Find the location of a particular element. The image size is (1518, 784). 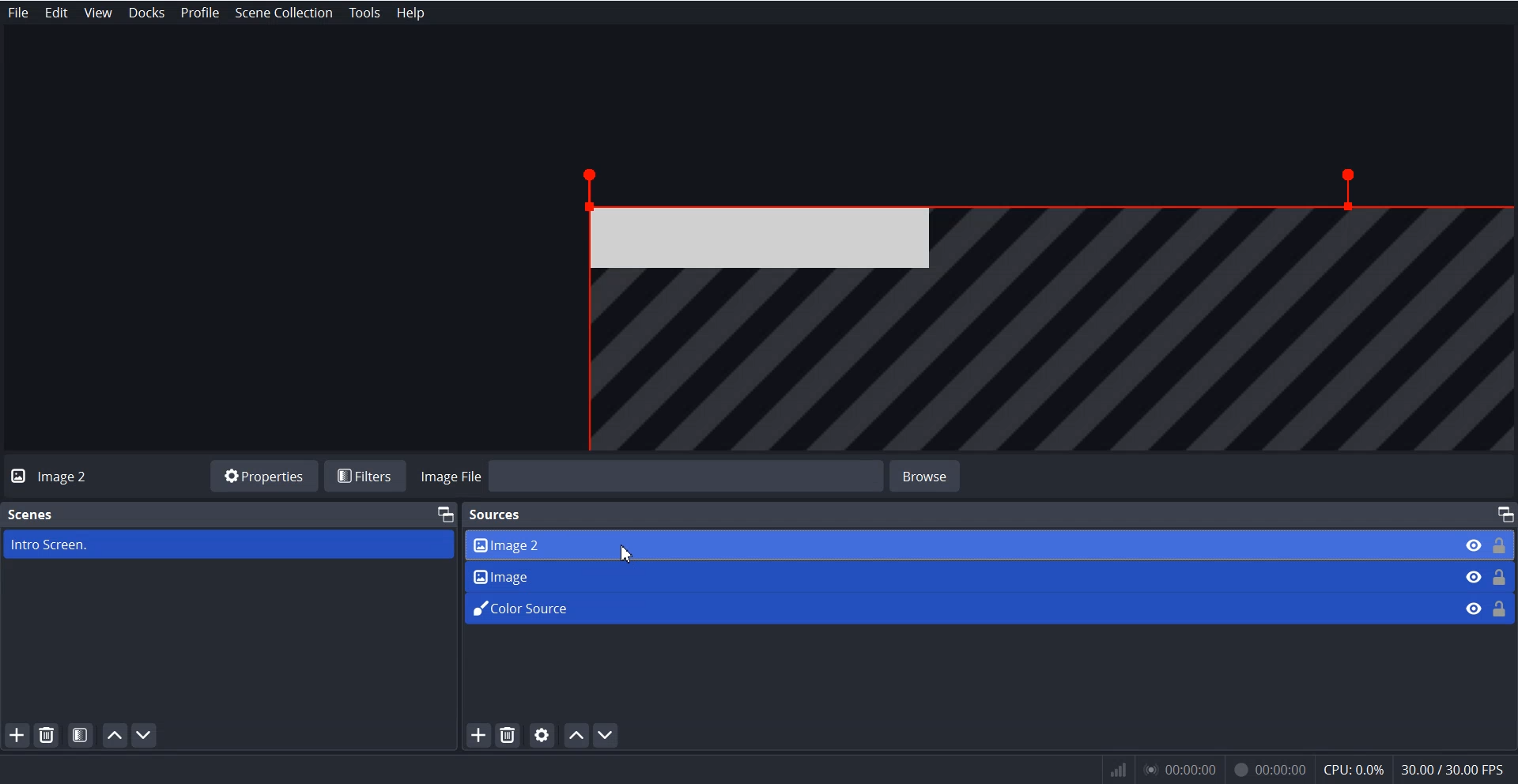

Image 2 is located at coordinates (954, 544).